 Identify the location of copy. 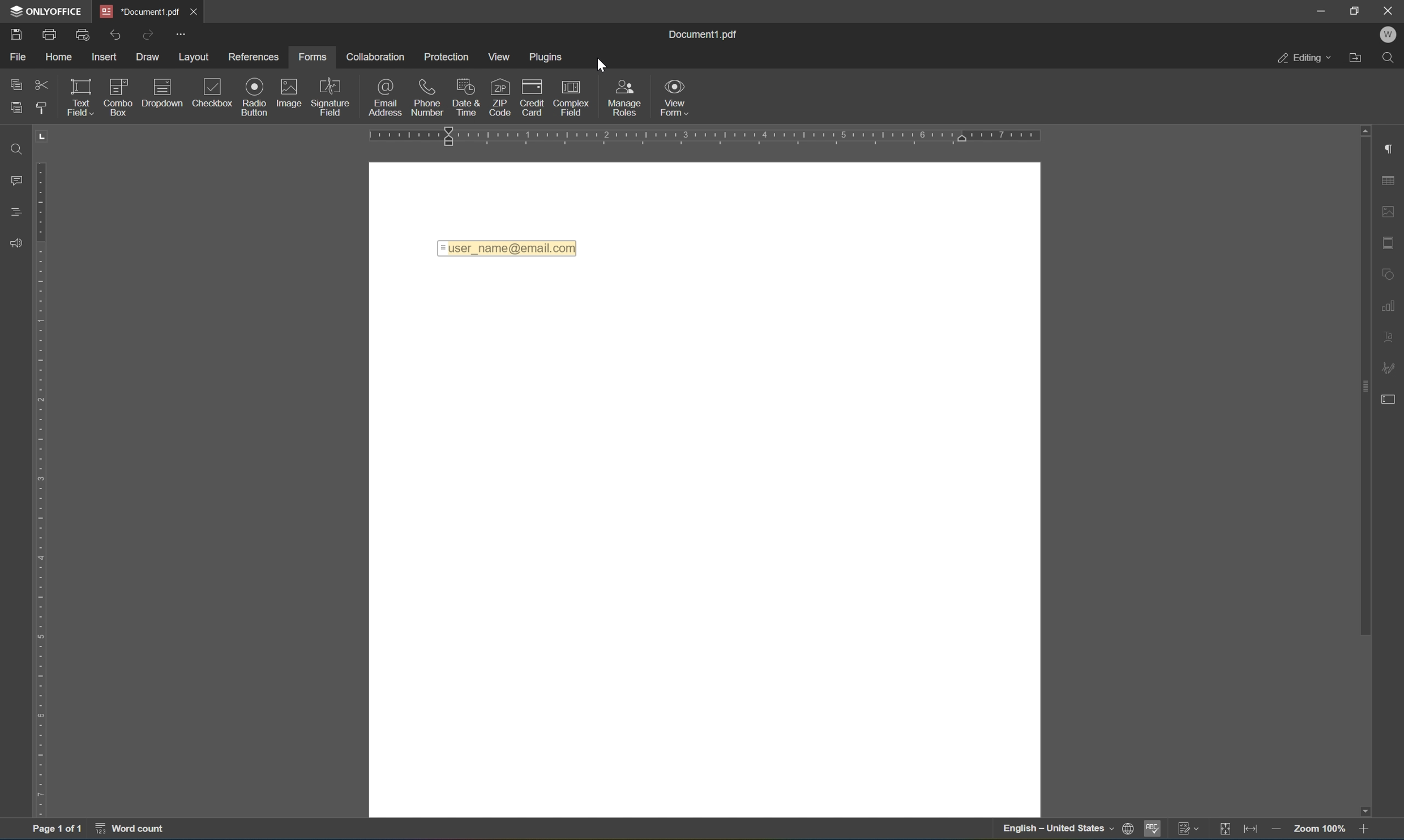
(14, 82).